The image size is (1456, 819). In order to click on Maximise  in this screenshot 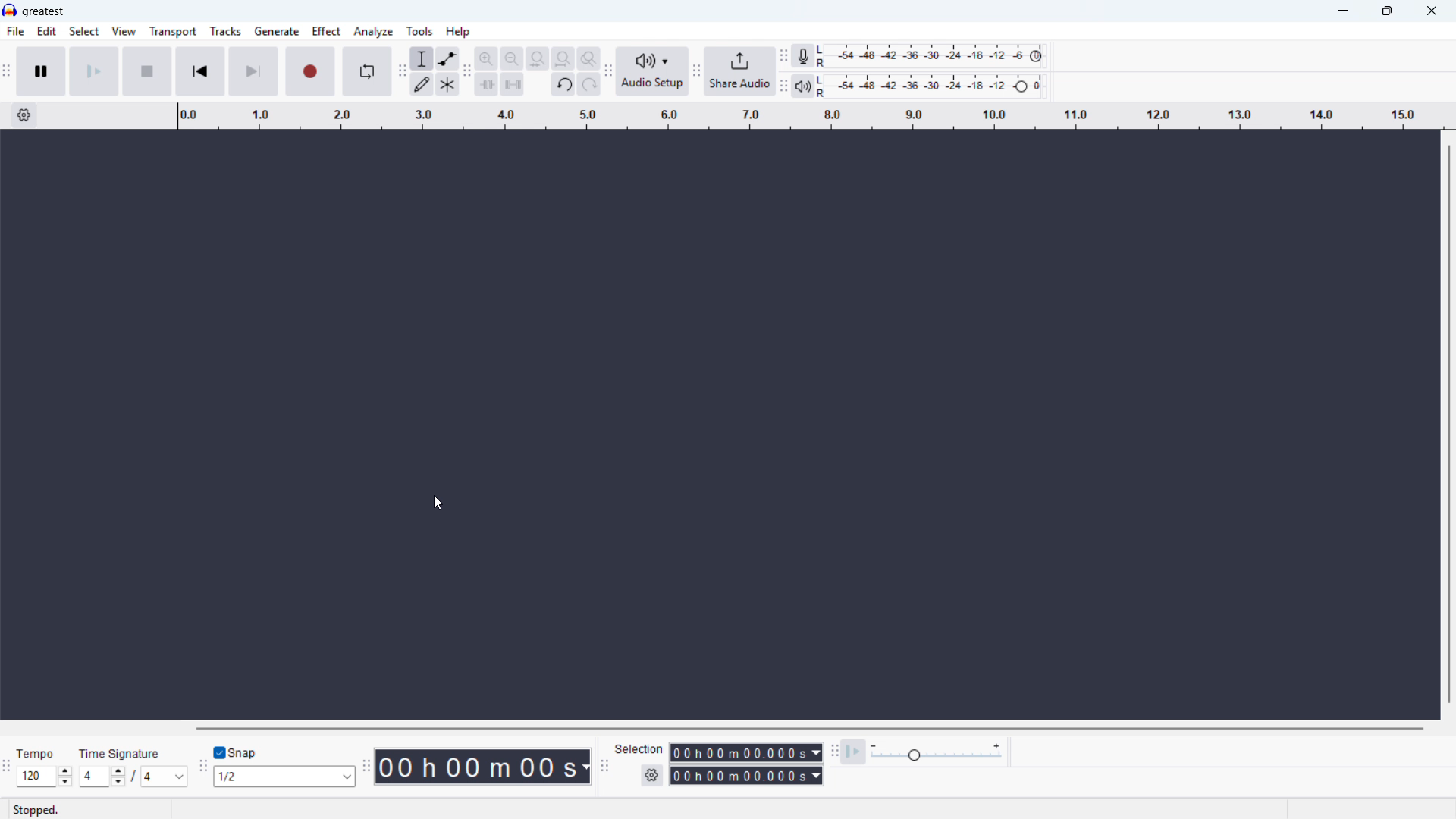, I will do `click(1387, 11)`.